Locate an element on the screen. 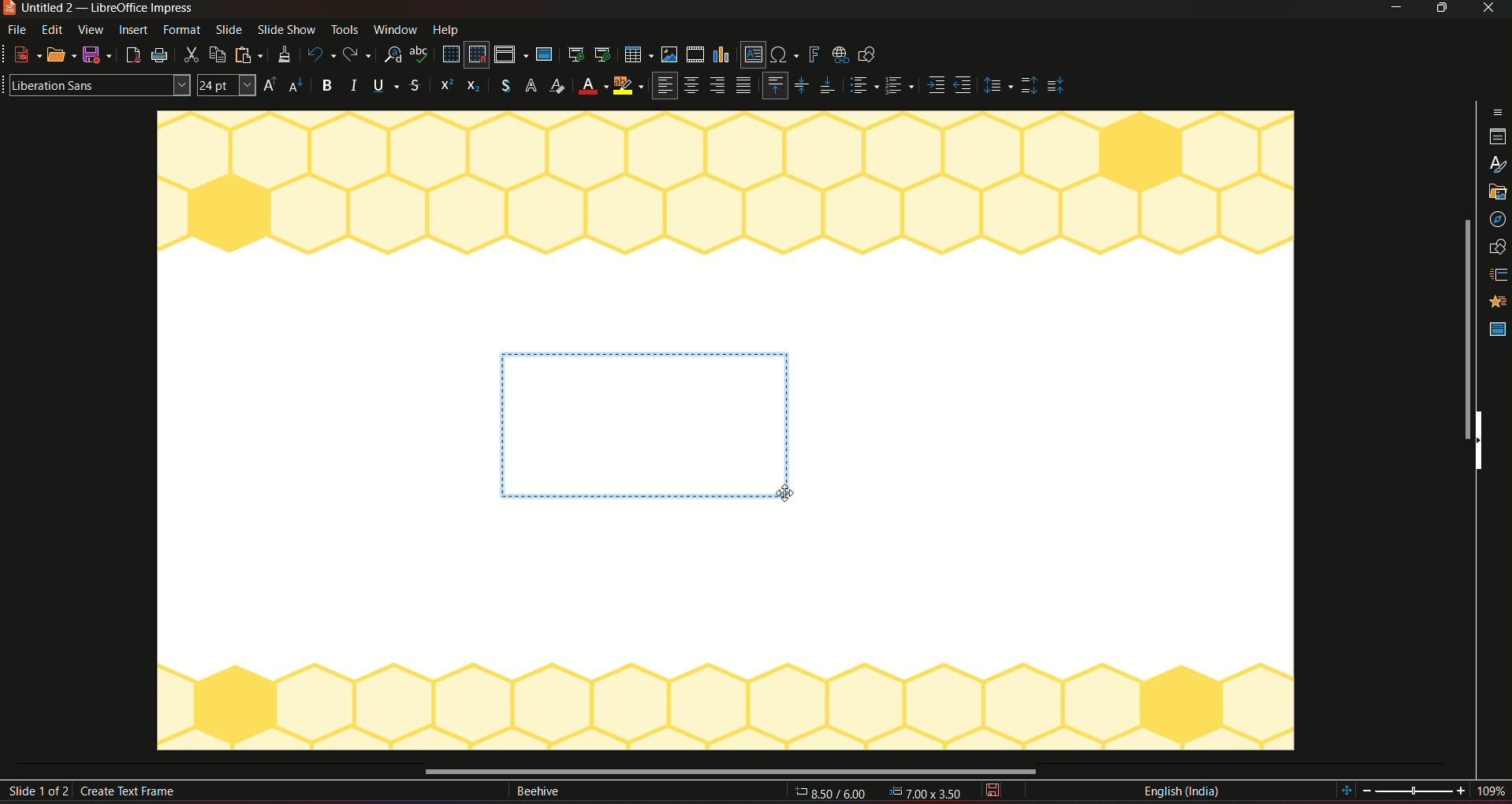 This screenshot has width=1512, height=804. text is located at coordinates (537, 793).